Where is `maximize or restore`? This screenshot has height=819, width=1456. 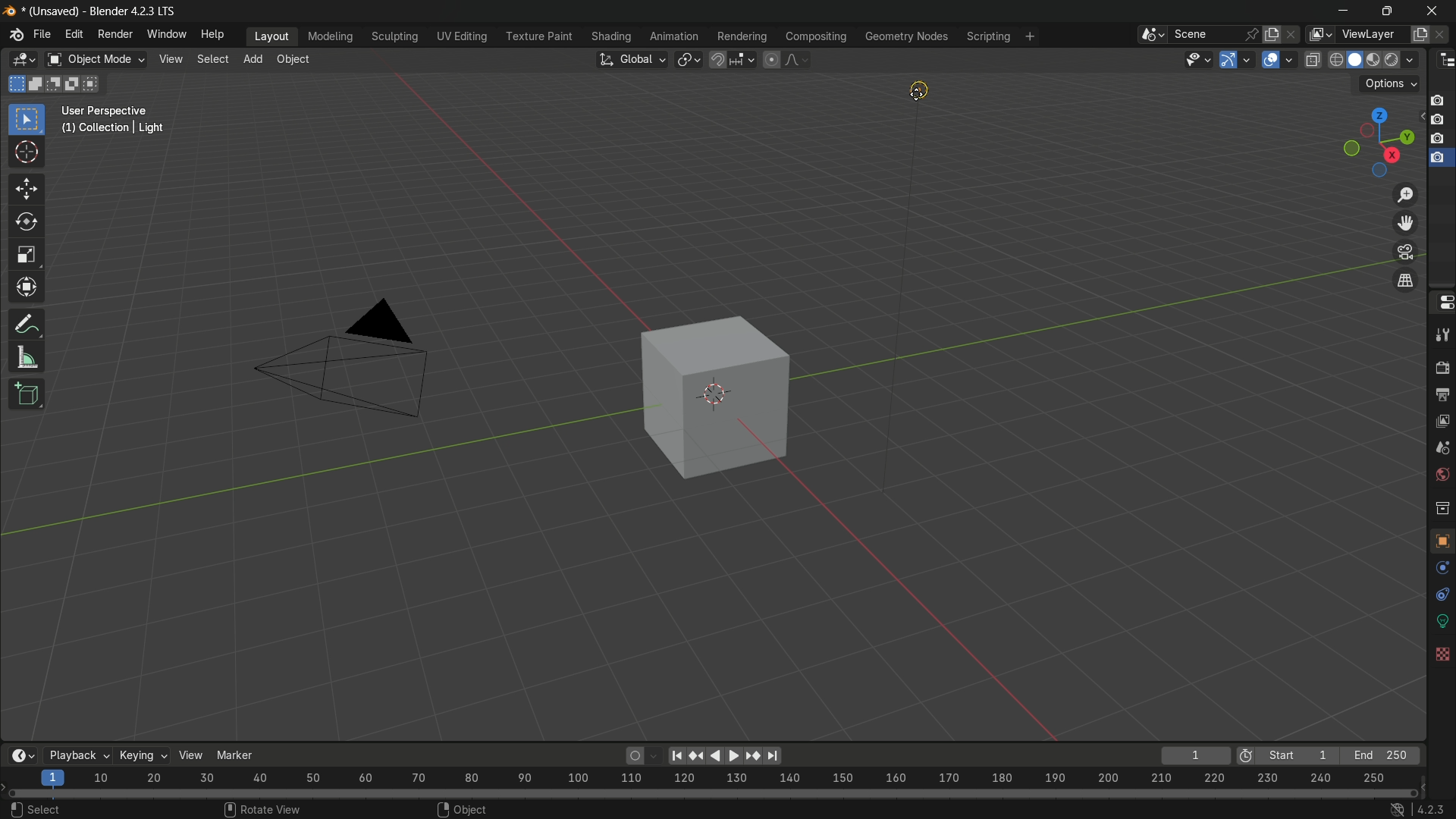
maximize or restore is located at coordinates (1386, 11).